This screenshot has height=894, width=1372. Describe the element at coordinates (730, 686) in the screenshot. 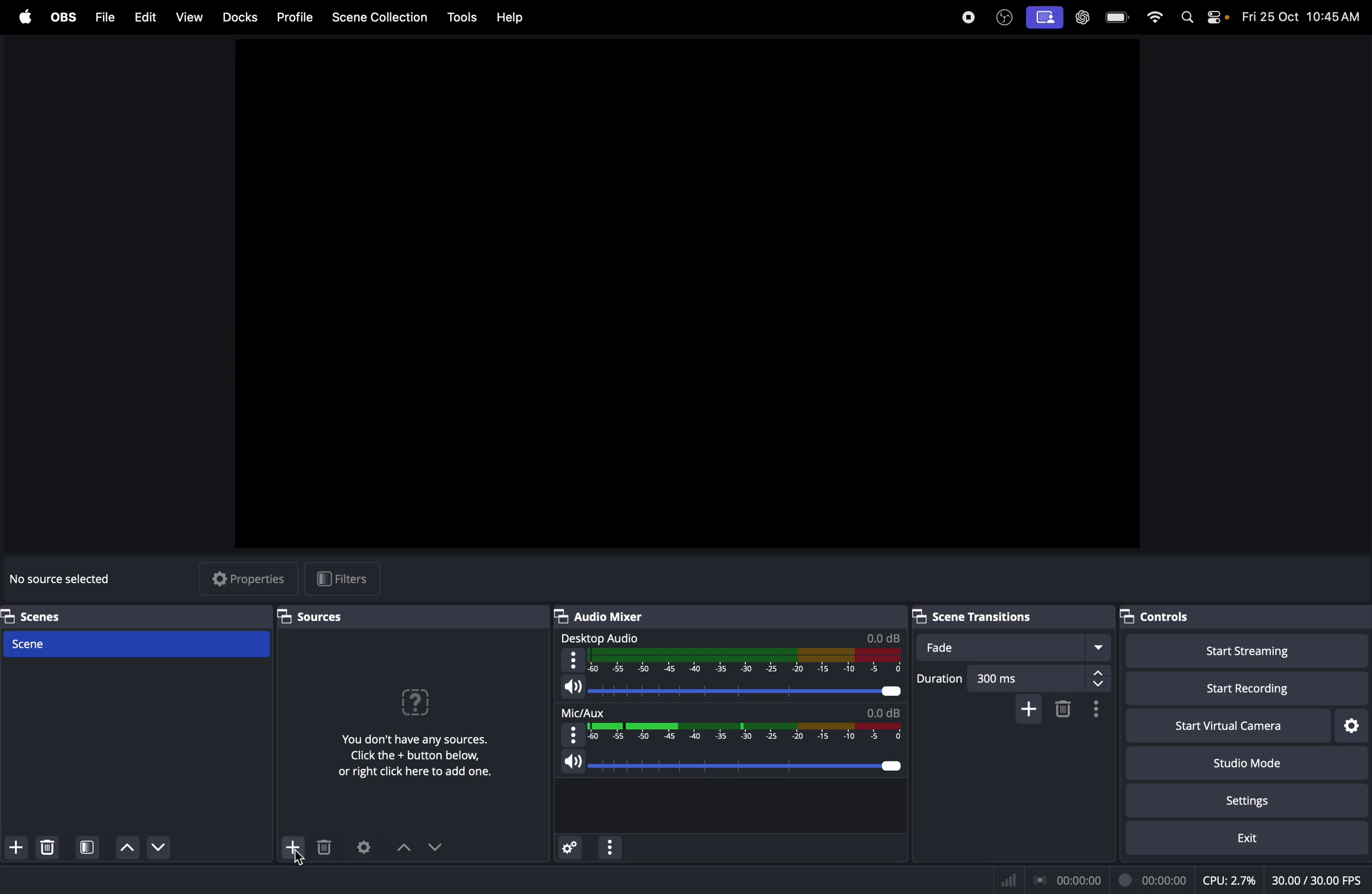

I see `audio level` at that location.